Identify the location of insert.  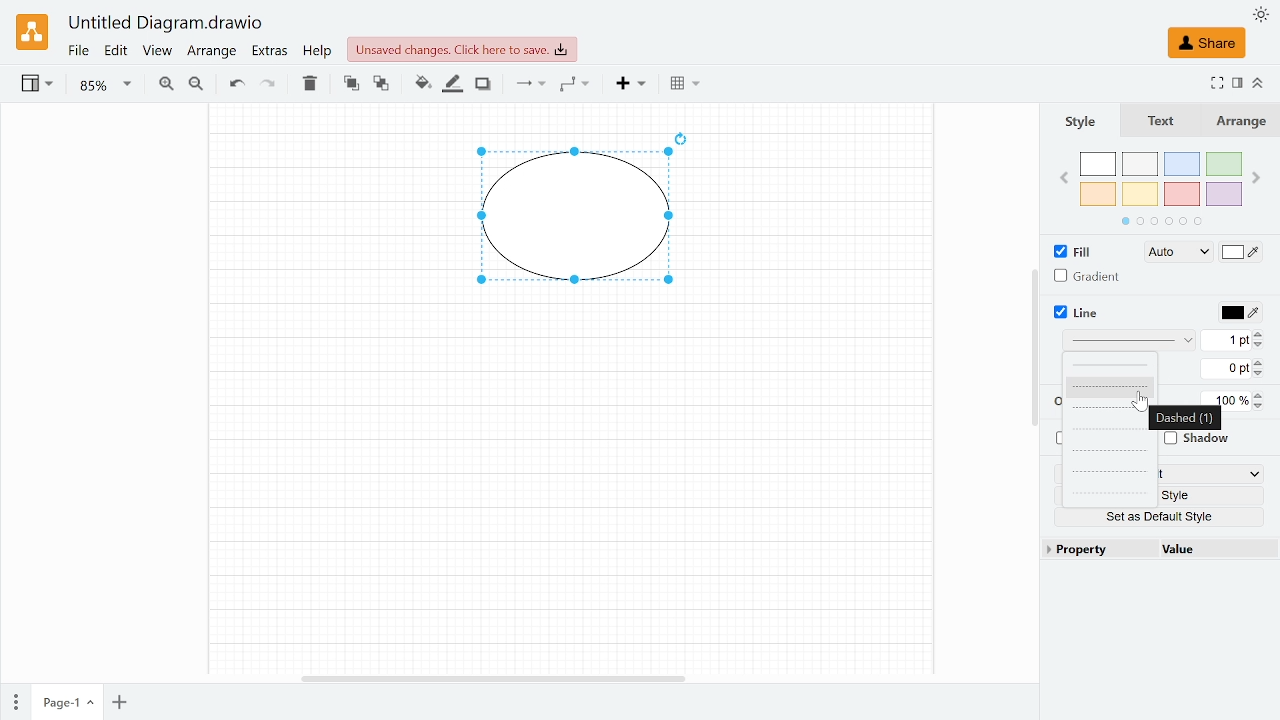
(626, 85).